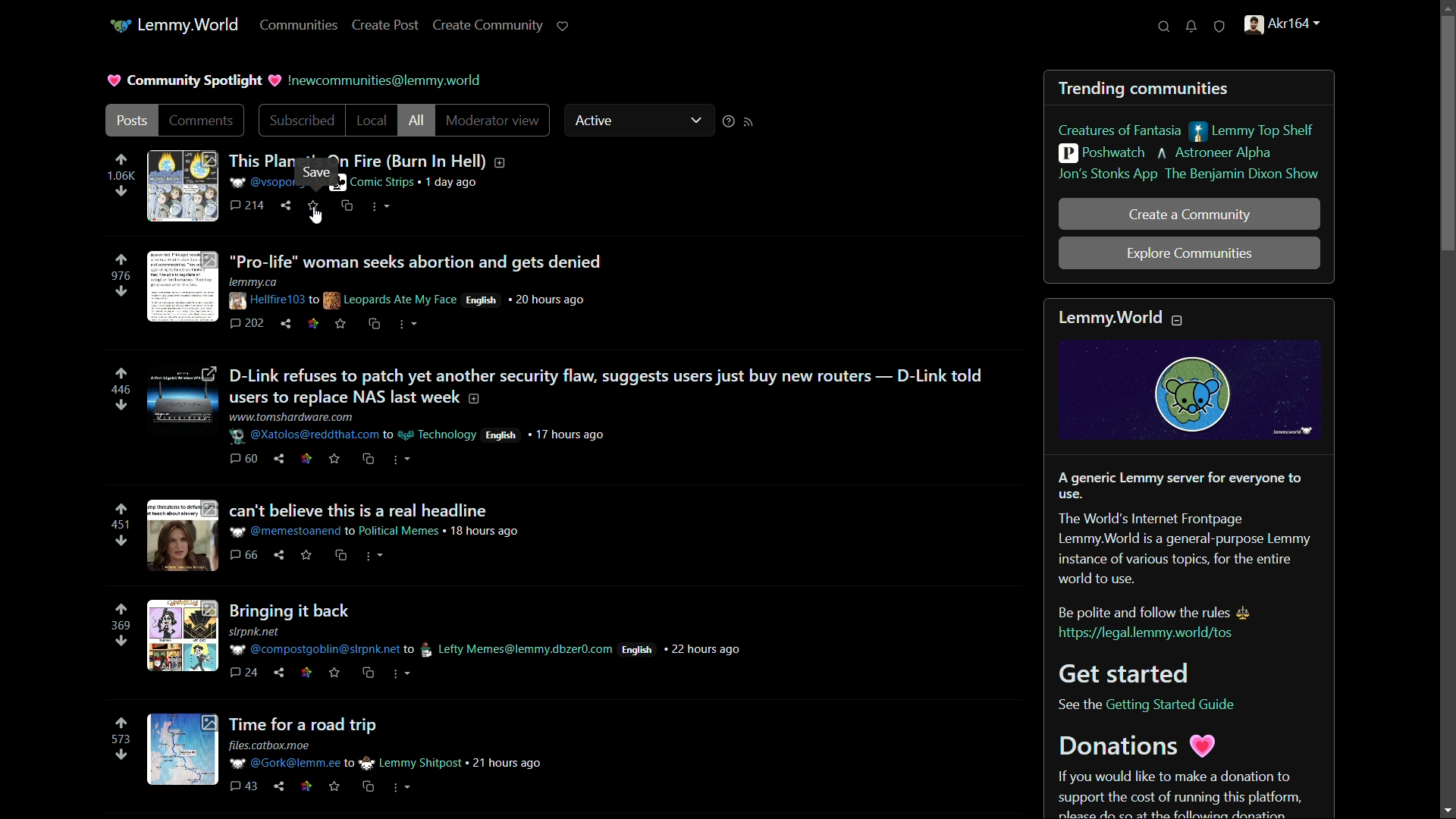 The width and height of the screenshot is (1456, 819). Describe the element at coordinates (196, 81) in the screenshot. I see `community spotlight` at that location.